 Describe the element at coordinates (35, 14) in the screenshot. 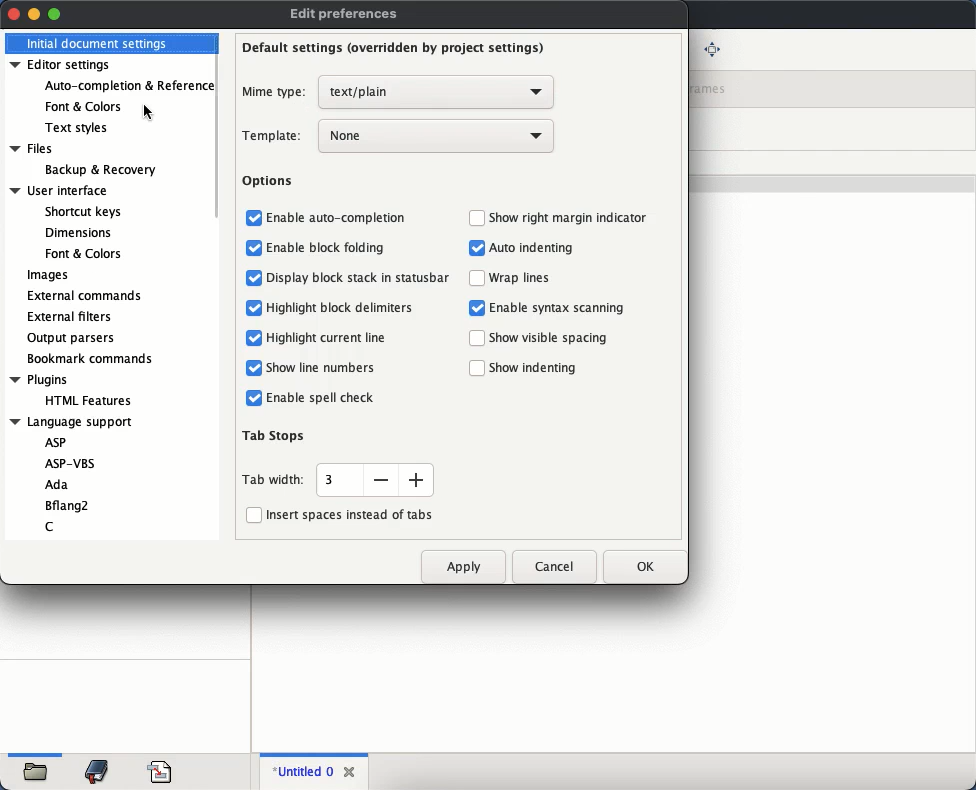

I see `minimize` at that location.